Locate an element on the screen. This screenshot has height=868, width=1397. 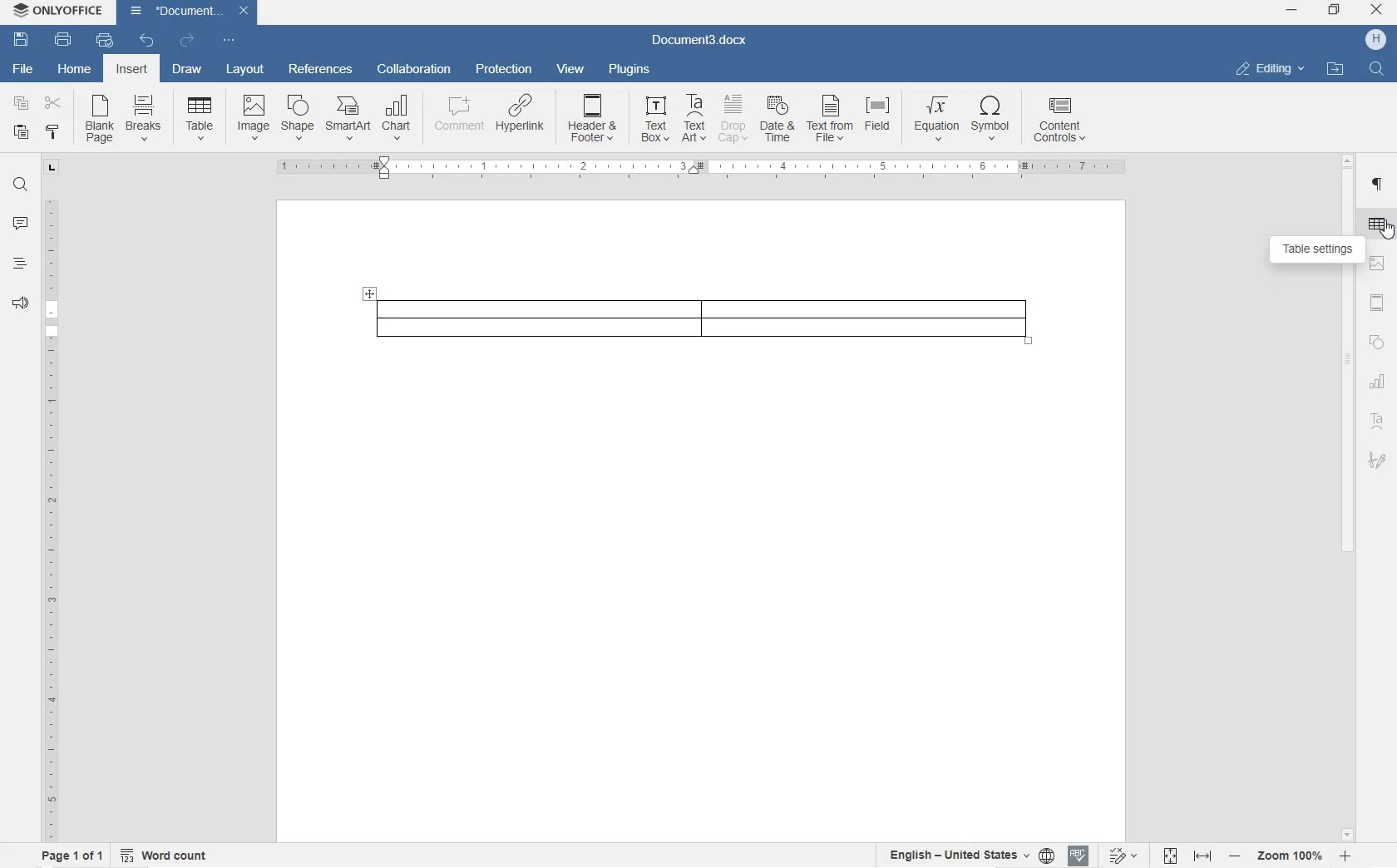
table settings is located at coordinates (1316, 250).